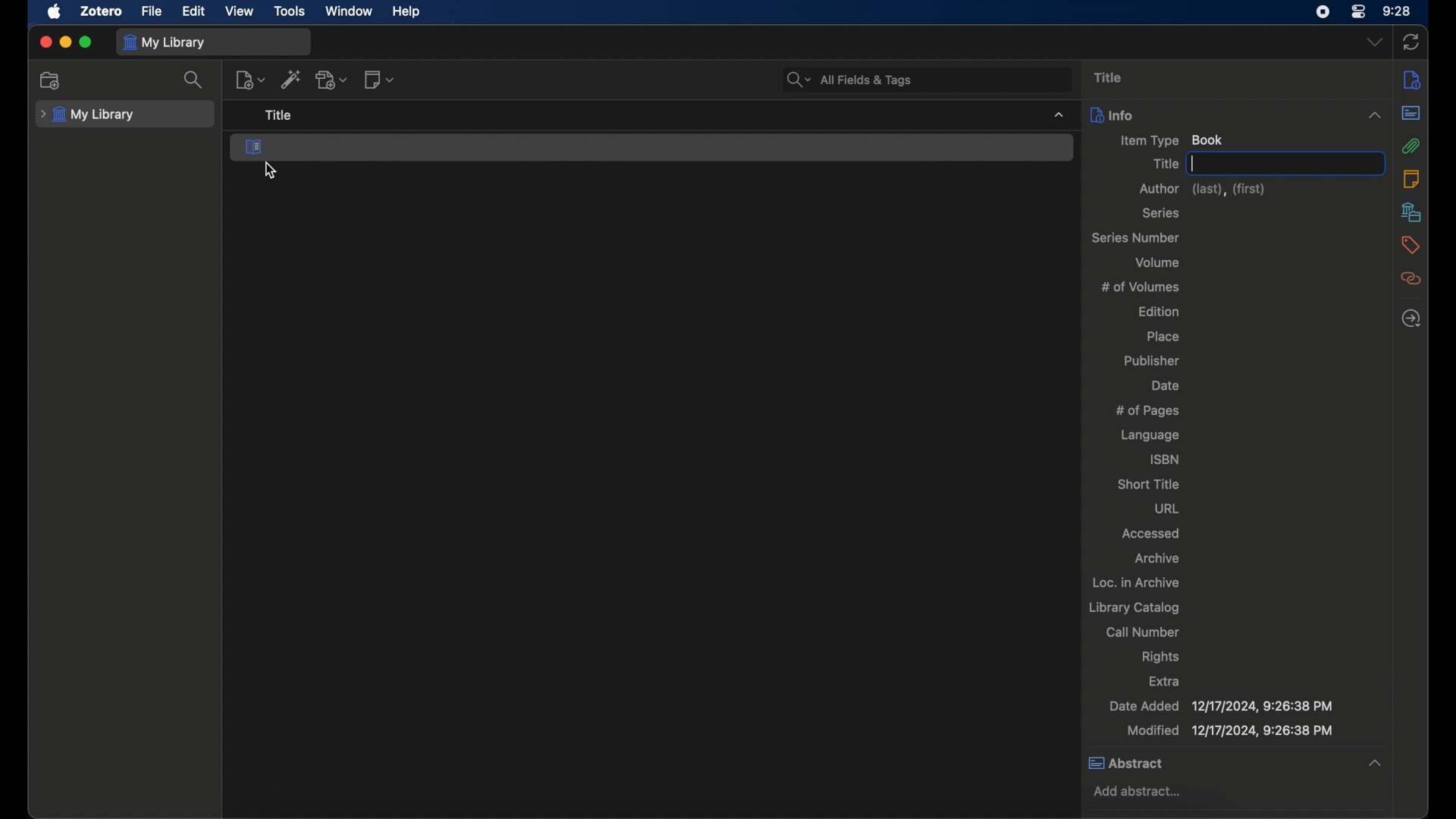 The image size is (1456, 819). I want to click on author, so click(1203, 189).